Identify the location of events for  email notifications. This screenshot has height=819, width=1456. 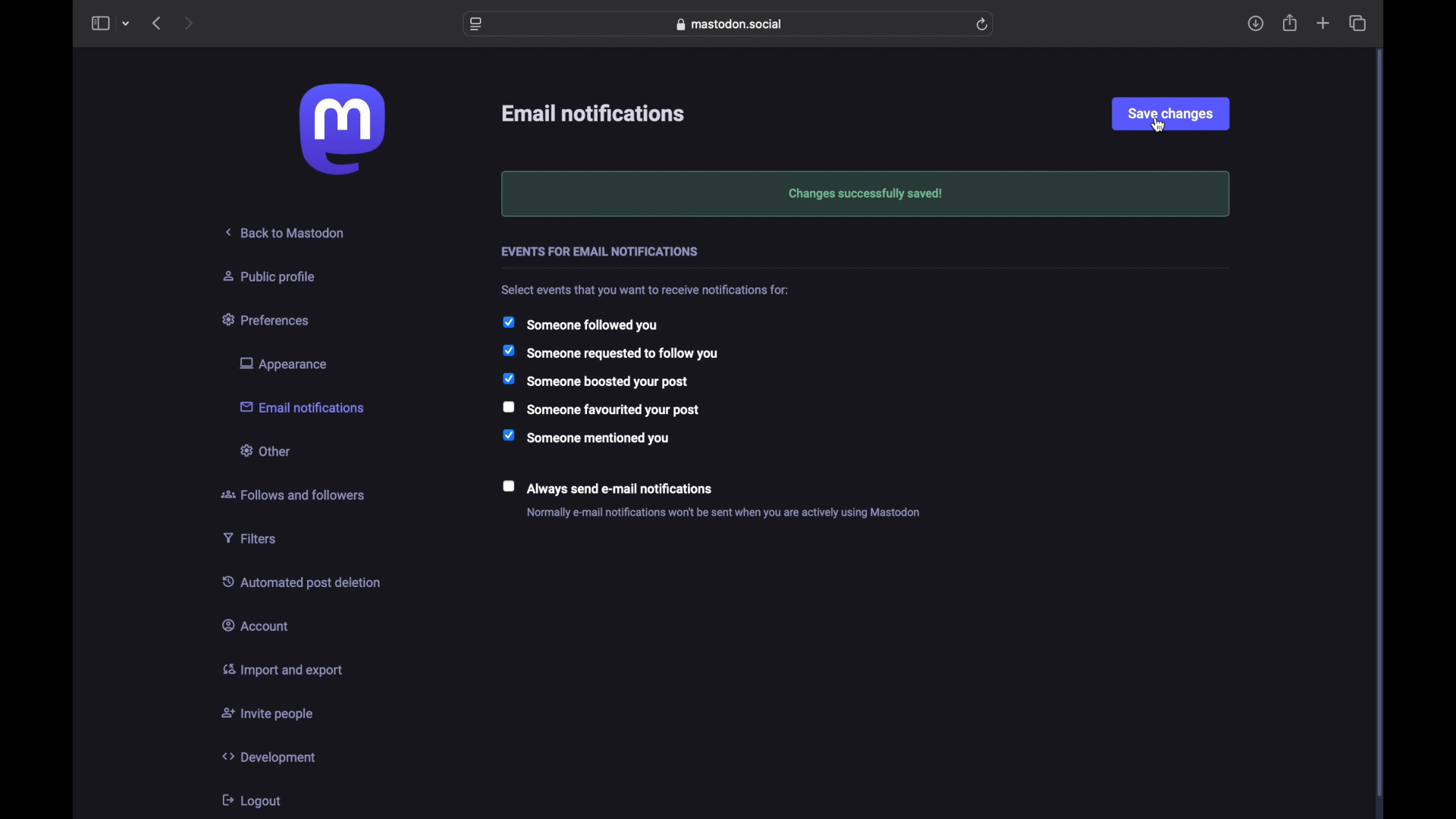
(602, 253).